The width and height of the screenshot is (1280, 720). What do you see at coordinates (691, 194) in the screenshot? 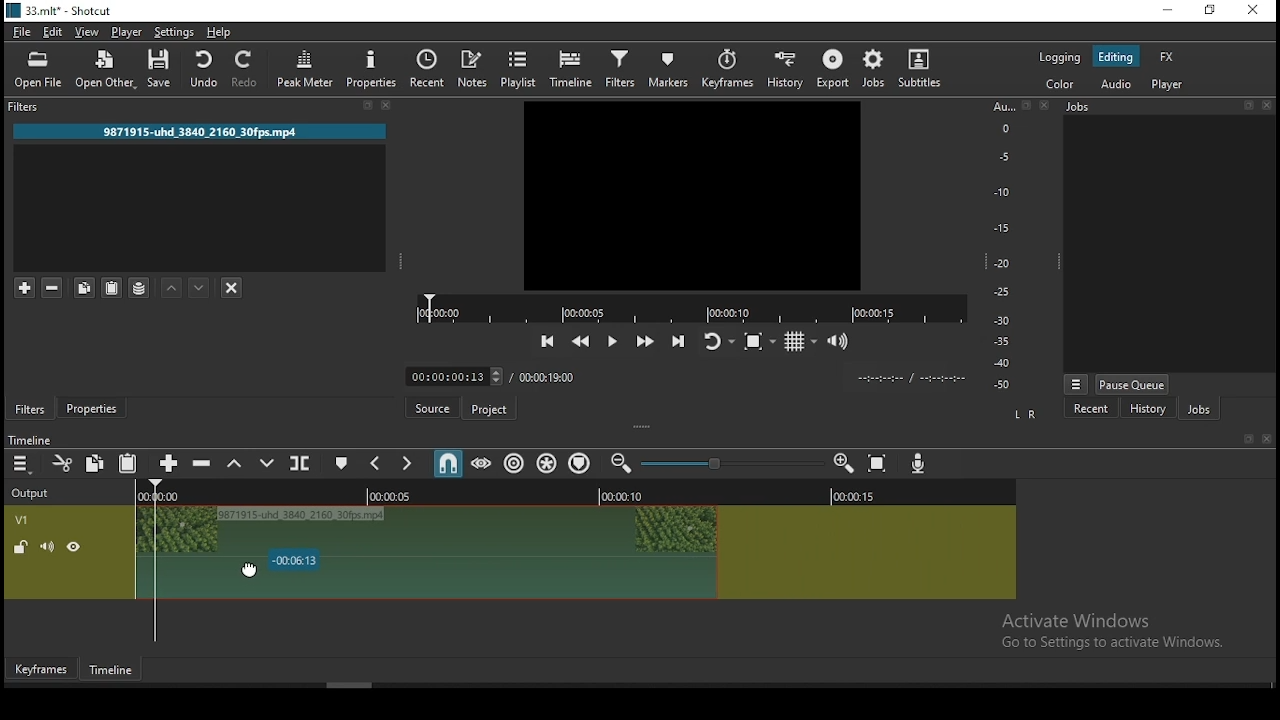
I see `preview` at bounding box center [691, 194].